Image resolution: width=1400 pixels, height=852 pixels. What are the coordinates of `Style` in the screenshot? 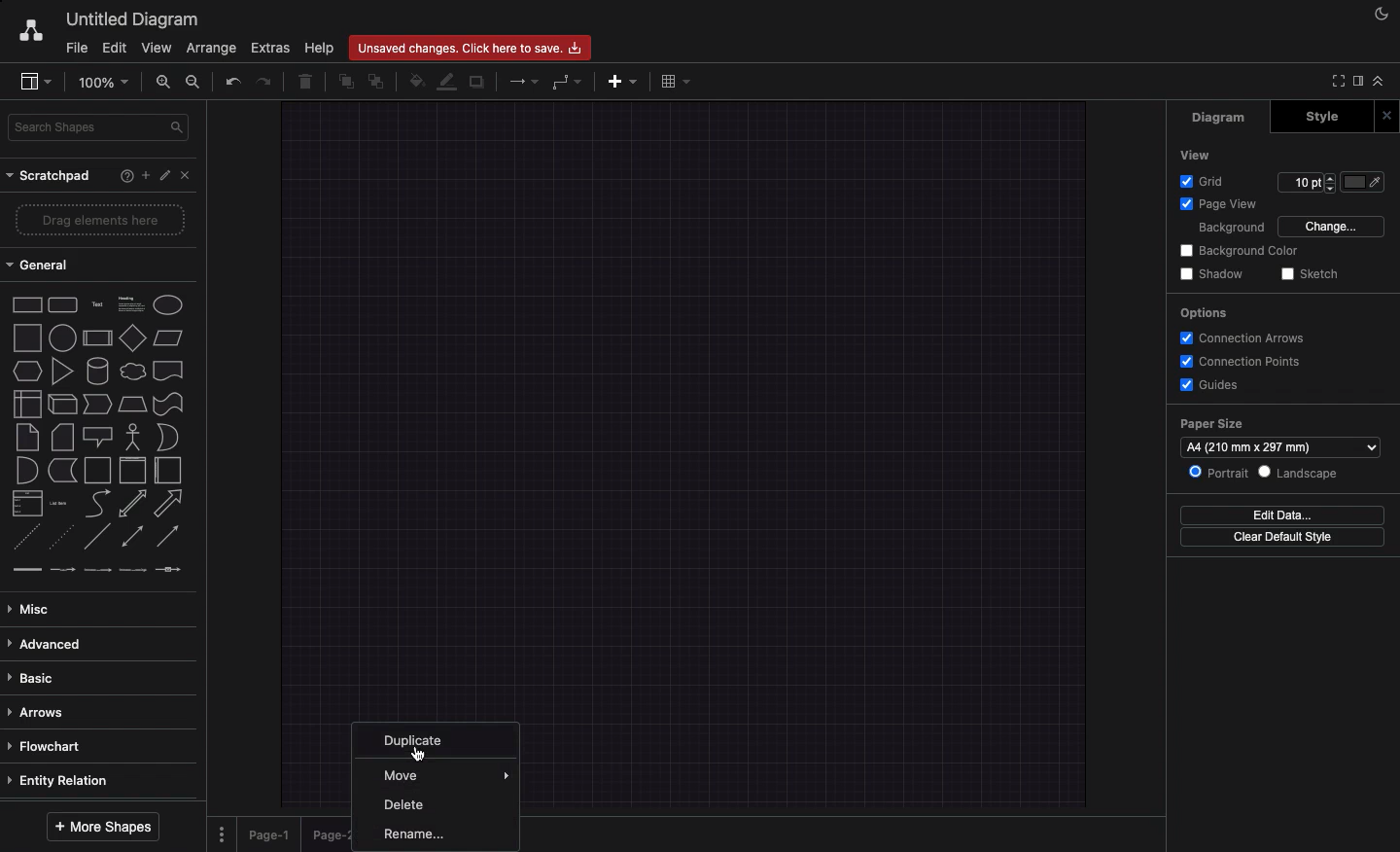 It's located at (1316, 118).